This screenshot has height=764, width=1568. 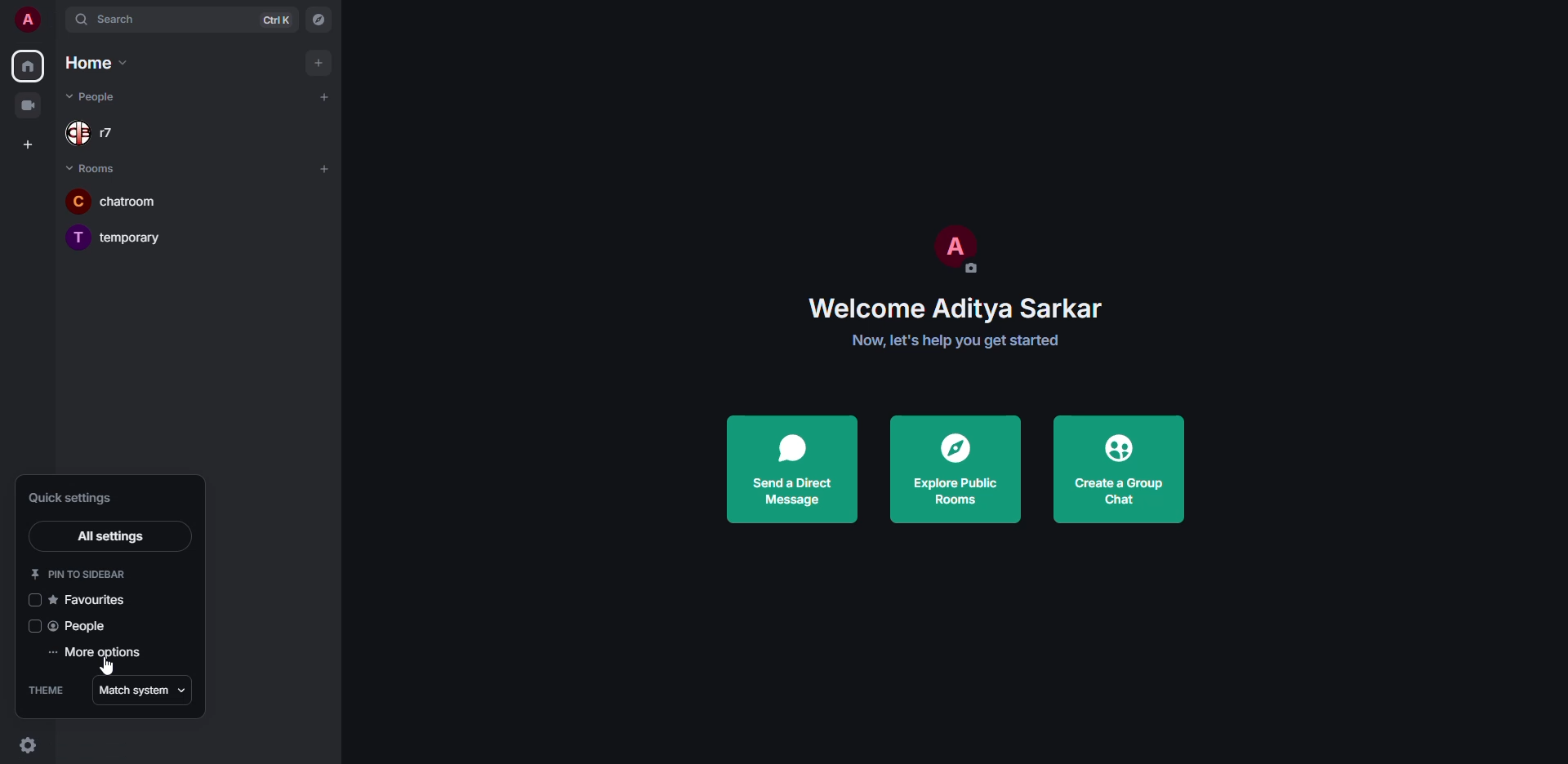 What do you see at coordinates (104, 96) in the screenshot?
I see `people` at bounding box center [104, 96].